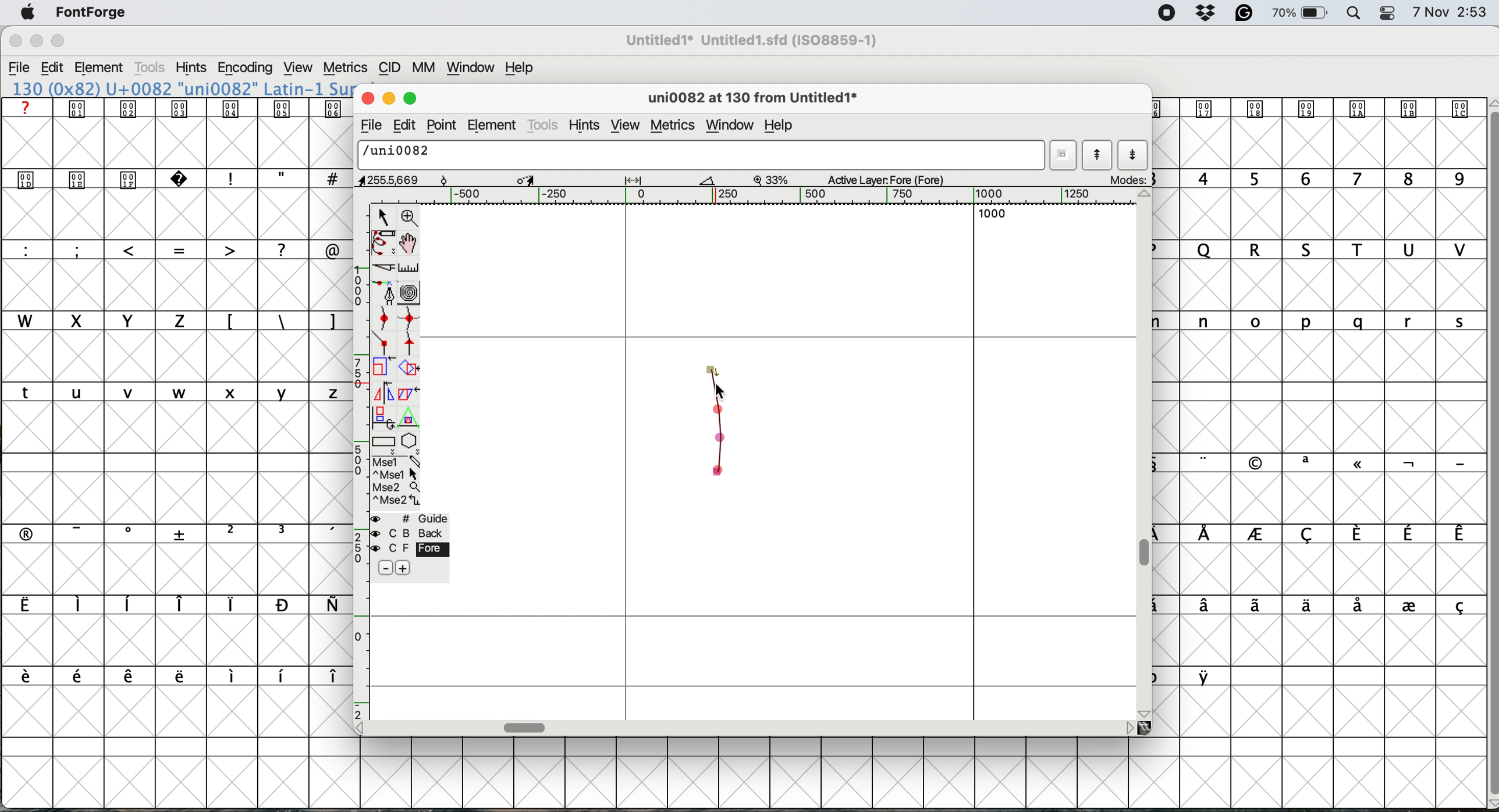  What do you see at coordinates (300, 68) in the screenshot?
I see `view` at bounding box center [300, 68].